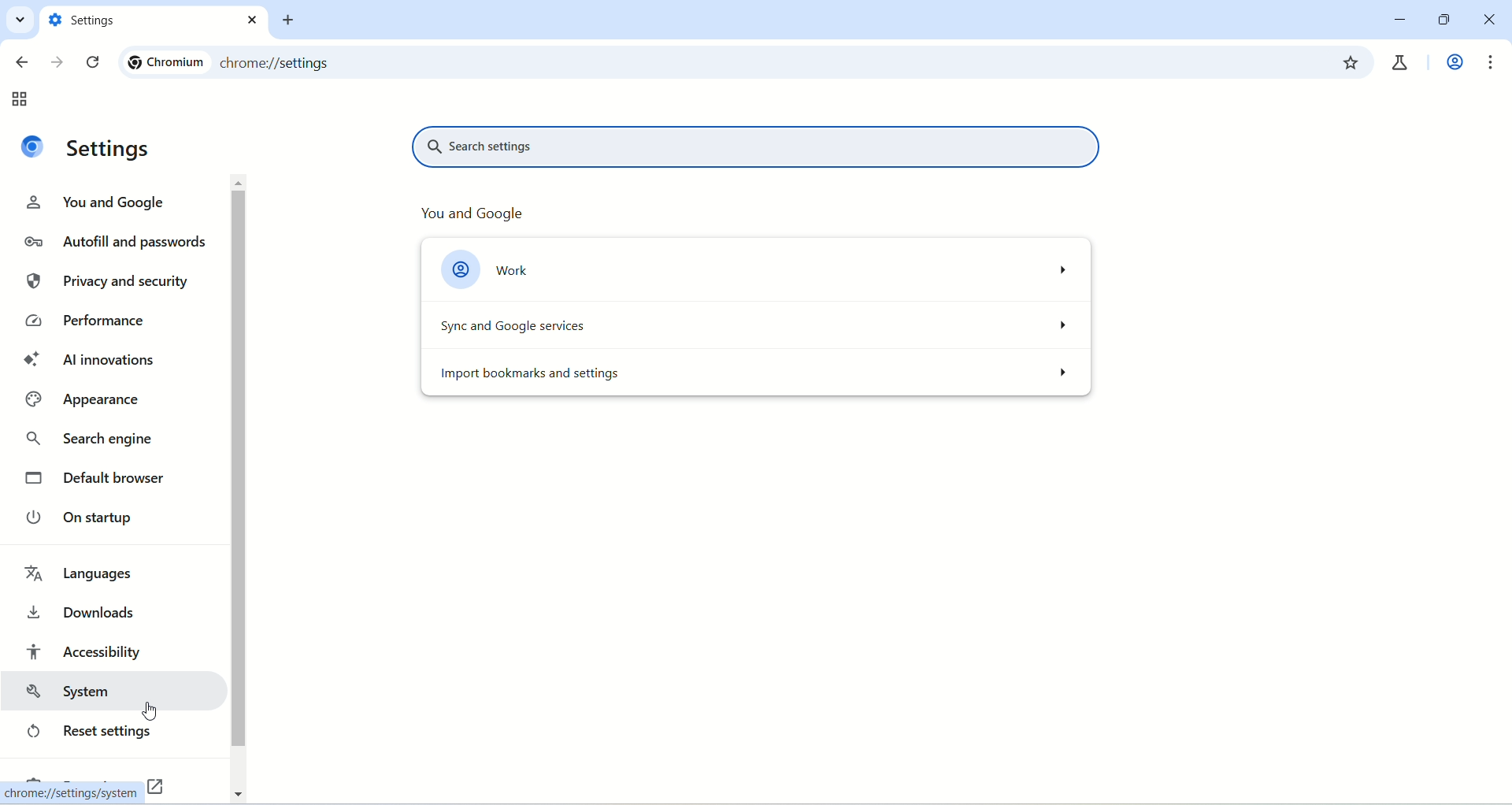 Image resolution: width=1512 pixels, height=805 pixels. Describe the element at coordinates (147, 712) in the screenshot. I see `ccursor` at that location.